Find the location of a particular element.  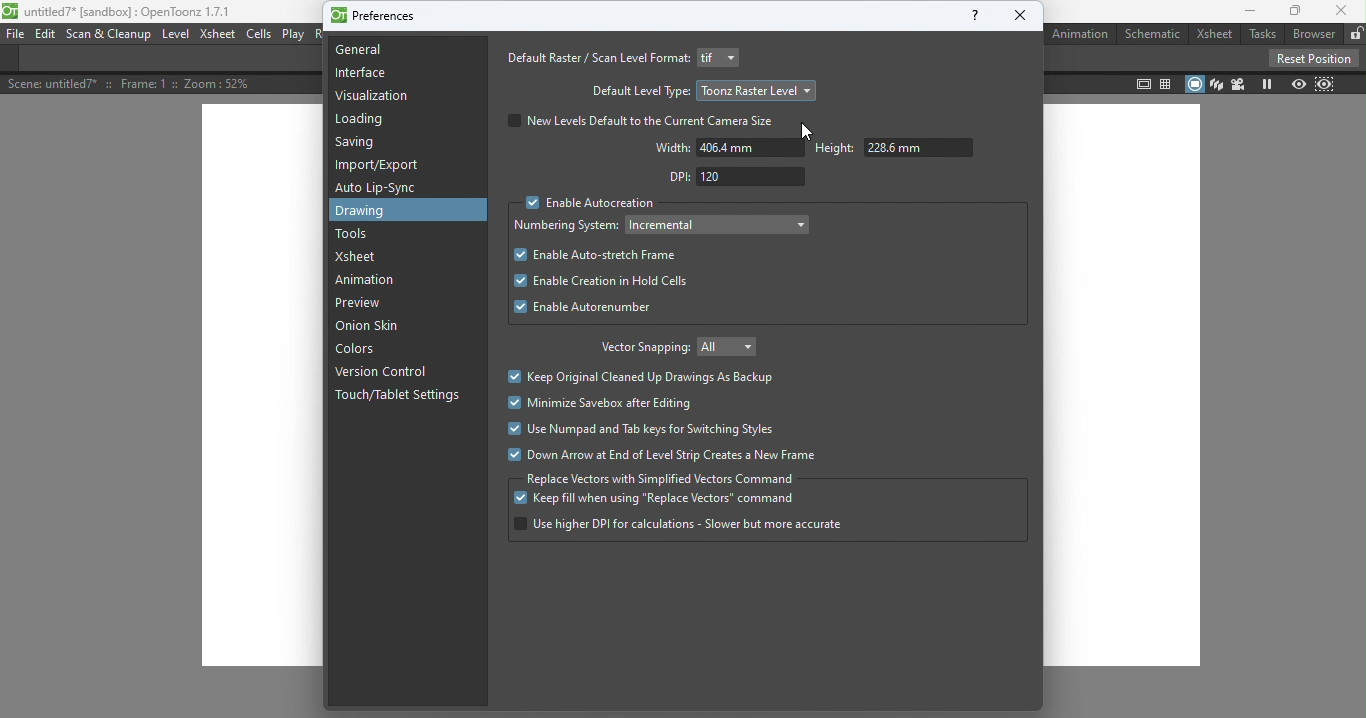

Enable create in hold cells is located at coordinates (620, 280).